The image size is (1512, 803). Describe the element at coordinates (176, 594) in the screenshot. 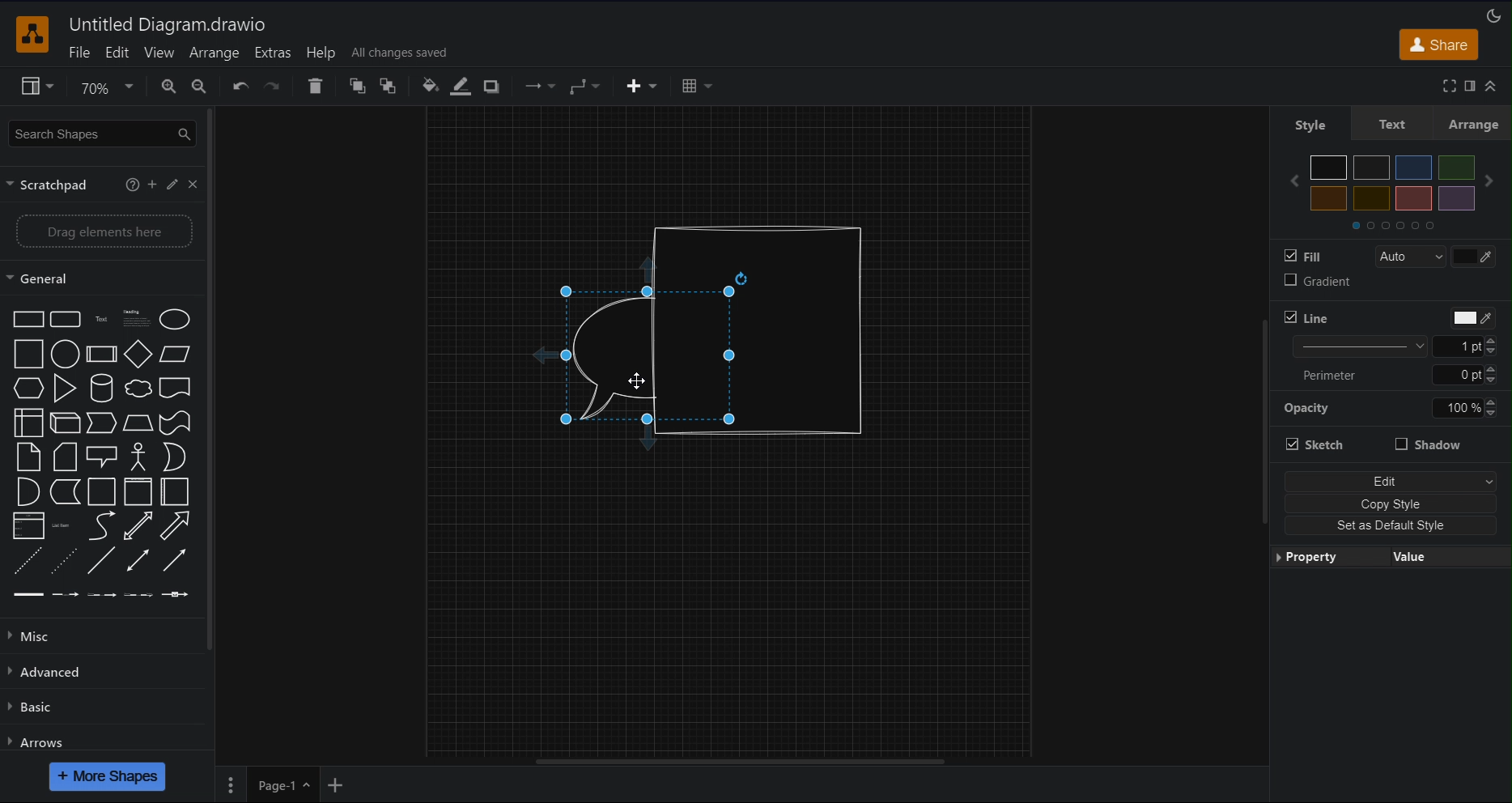

I see `Connector with symbol` at that location.